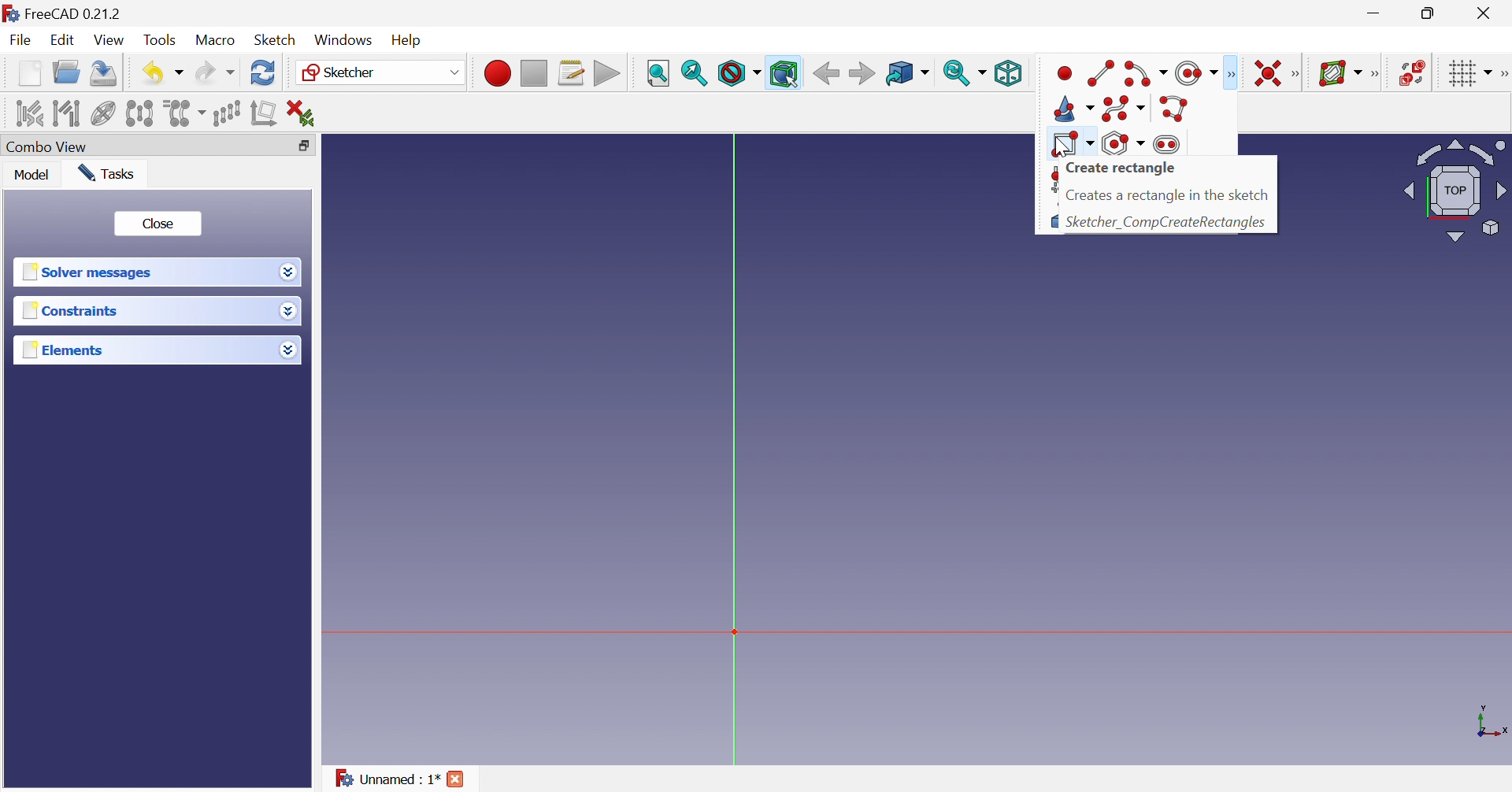 Image resolution: width=1512 pixels, height=792 pixels. I want to click on Macro, so click(213, 40).